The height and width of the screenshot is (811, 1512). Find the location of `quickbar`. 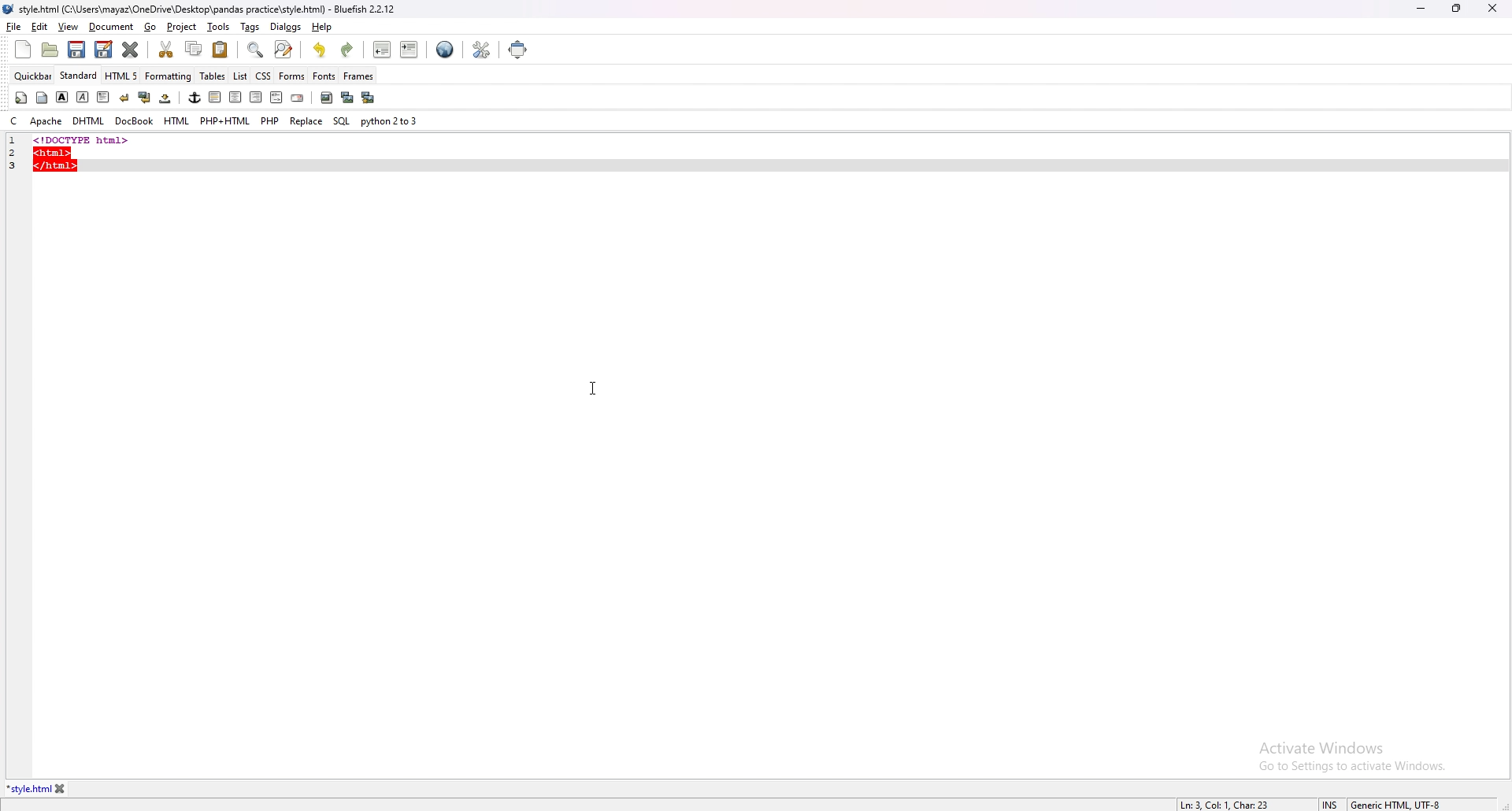

quickbar is located at coordinates (34, 76).